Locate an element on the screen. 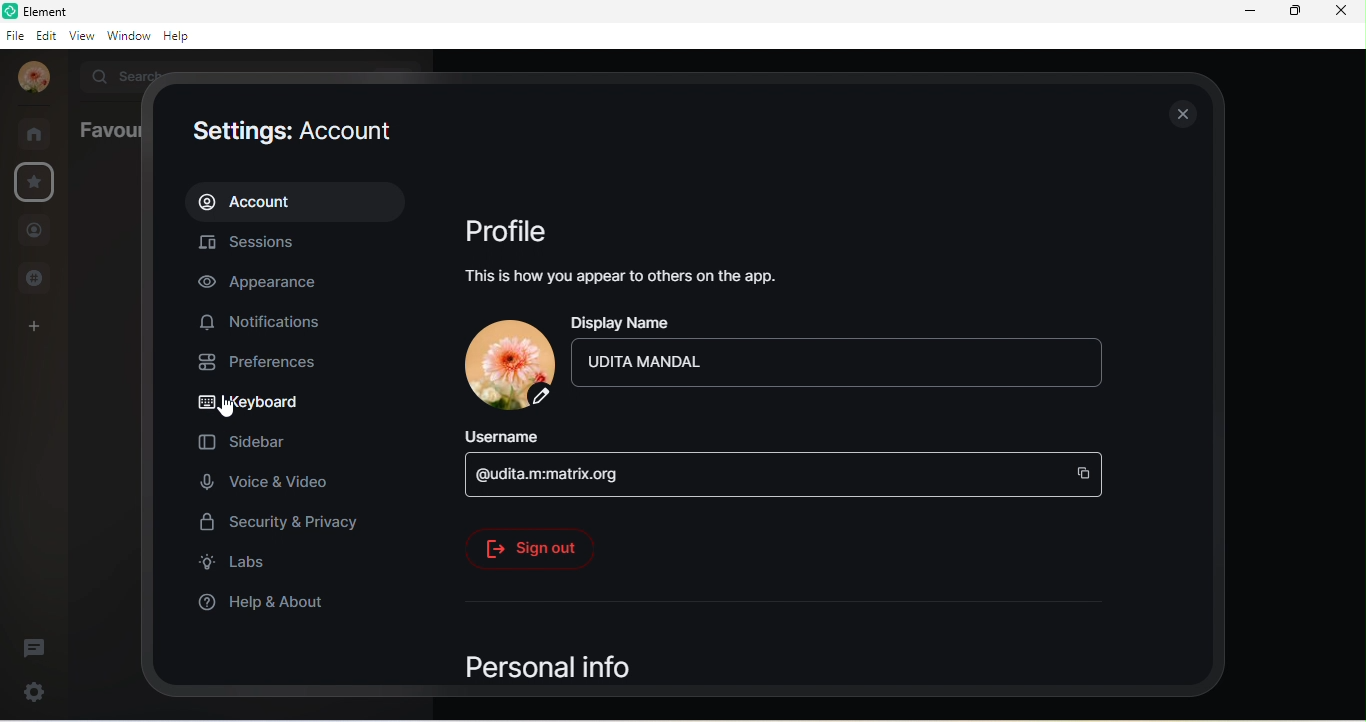 The height and width of the screenshot is (722, 1366). favourite is located at coordinates (37, 183).